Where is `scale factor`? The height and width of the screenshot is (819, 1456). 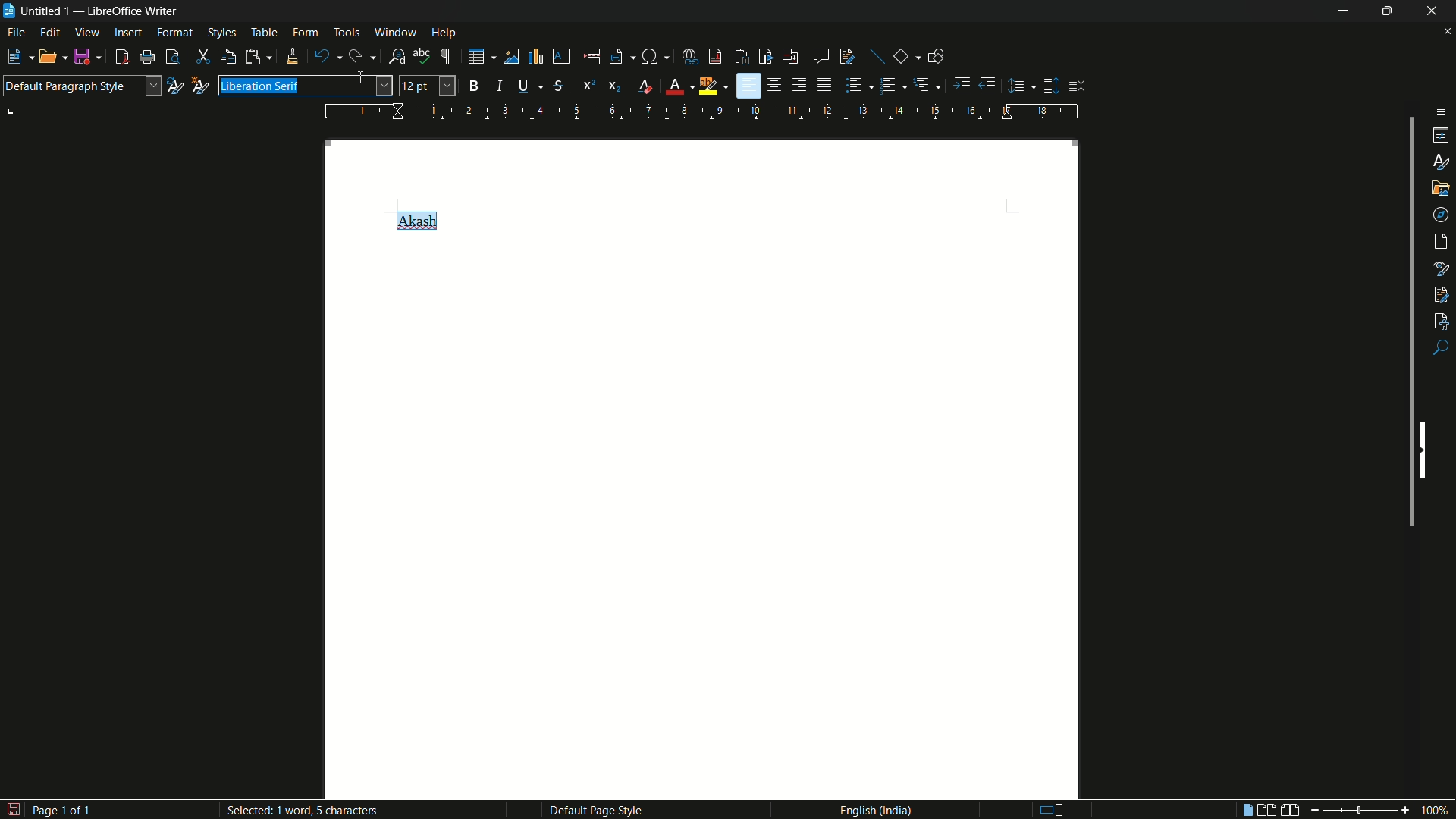 scale factor is located at coordinates (1436, 811).